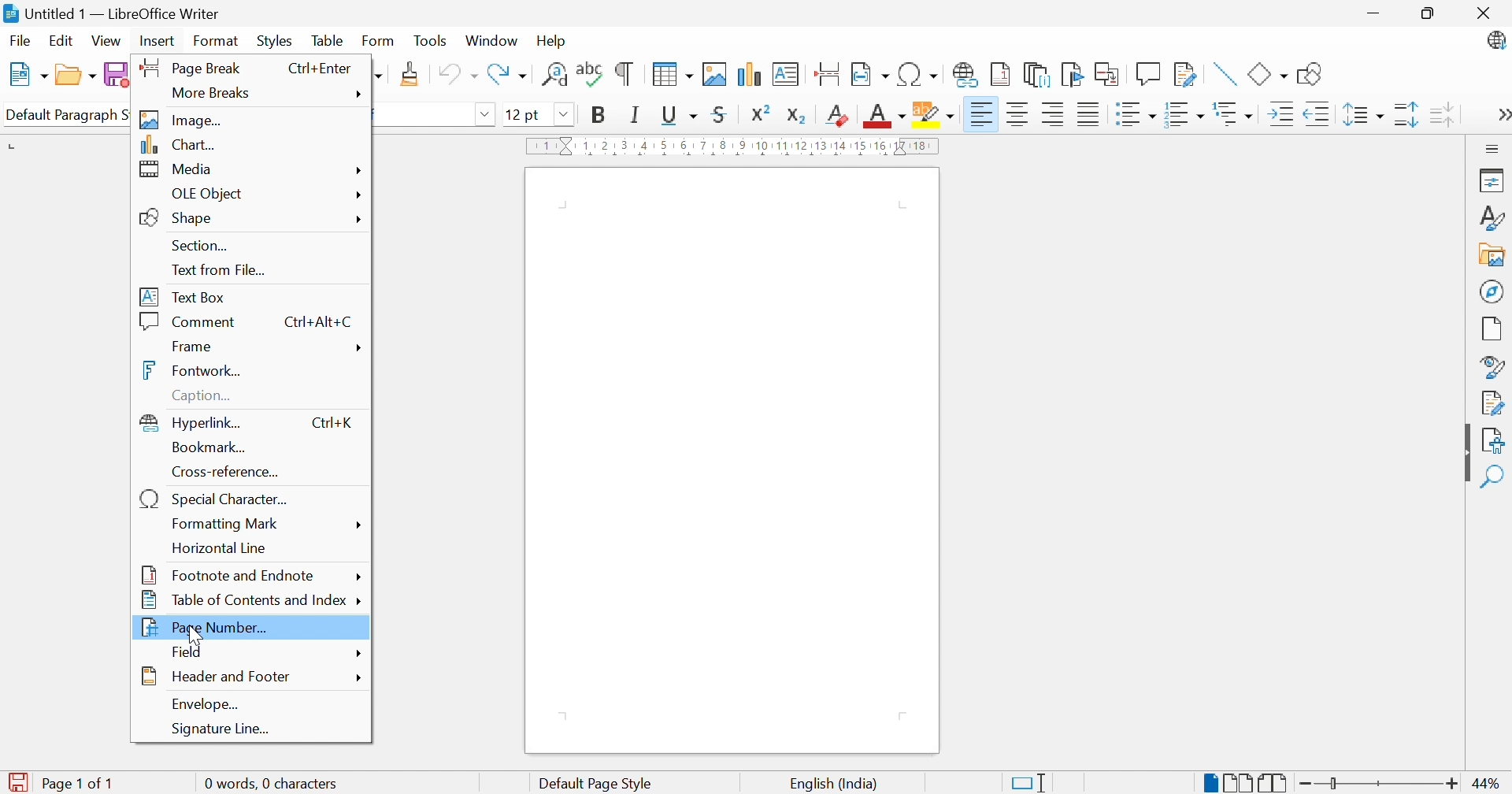 This screenshot has height=794, width=1512. I want to click on Windows, so click(492, 42).